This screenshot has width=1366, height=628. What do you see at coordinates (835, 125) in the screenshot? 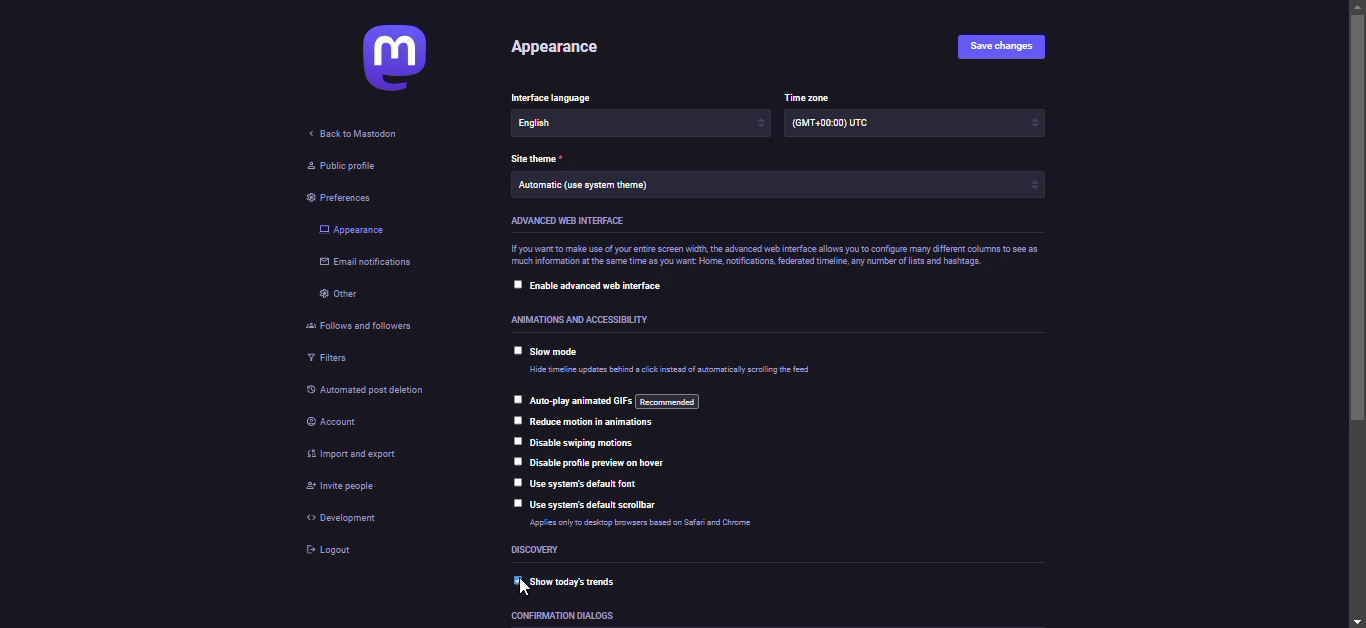
I see `time zone` at bounding box center [835, 125].